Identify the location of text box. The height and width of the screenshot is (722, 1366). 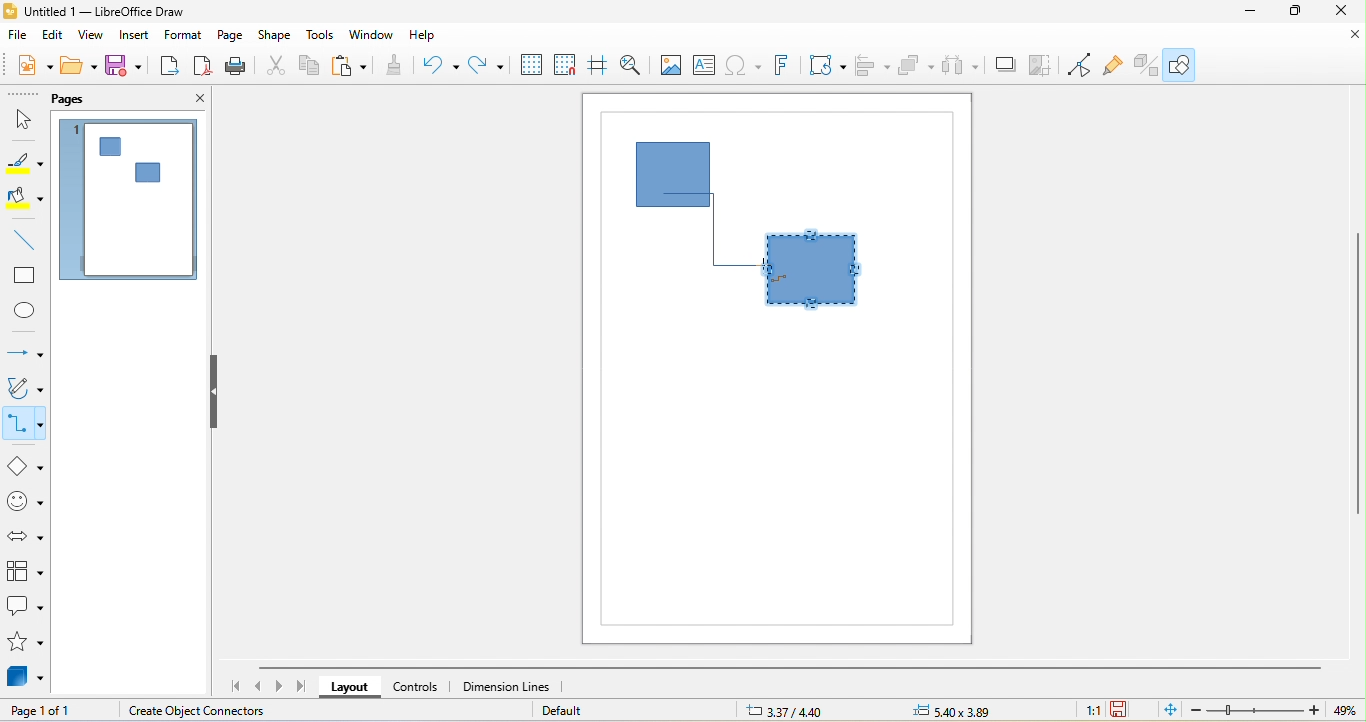
(704, 65).